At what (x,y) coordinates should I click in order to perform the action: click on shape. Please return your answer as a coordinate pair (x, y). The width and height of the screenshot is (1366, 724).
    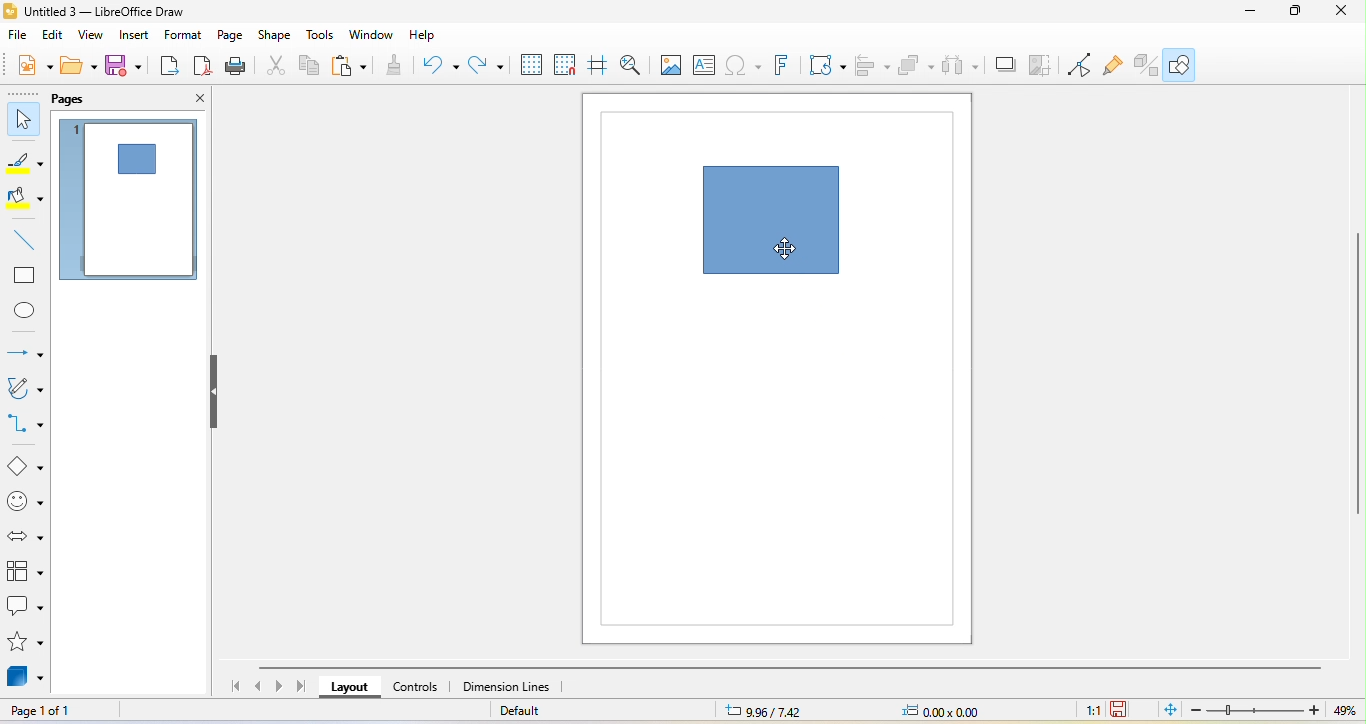
    Looking at the image, I should click on (279, 36).